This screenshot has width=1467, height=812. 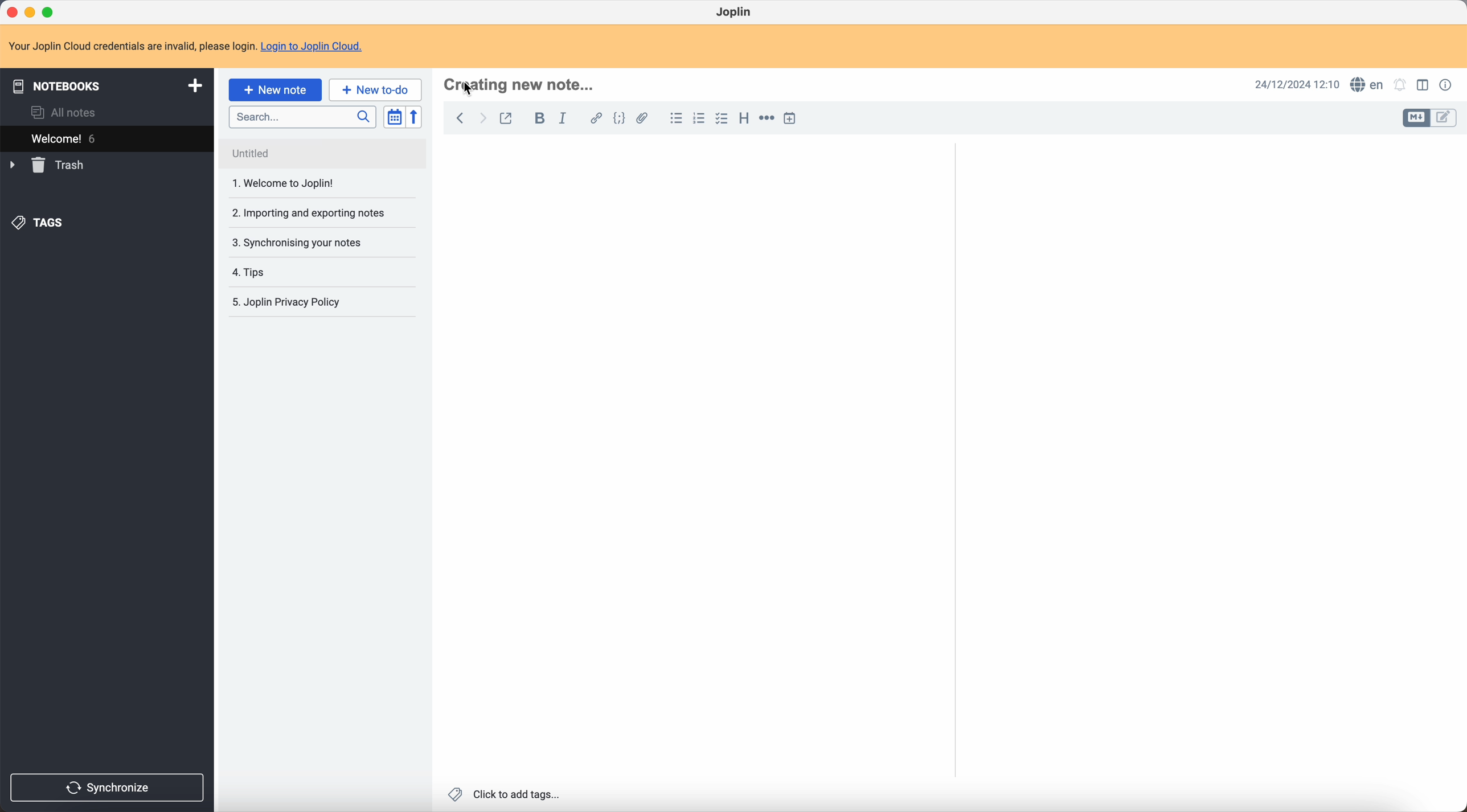 What do you see at coordinates (766, 120) in the screenshot?
I see `horizontal rule` at bounding box center [766, 120].